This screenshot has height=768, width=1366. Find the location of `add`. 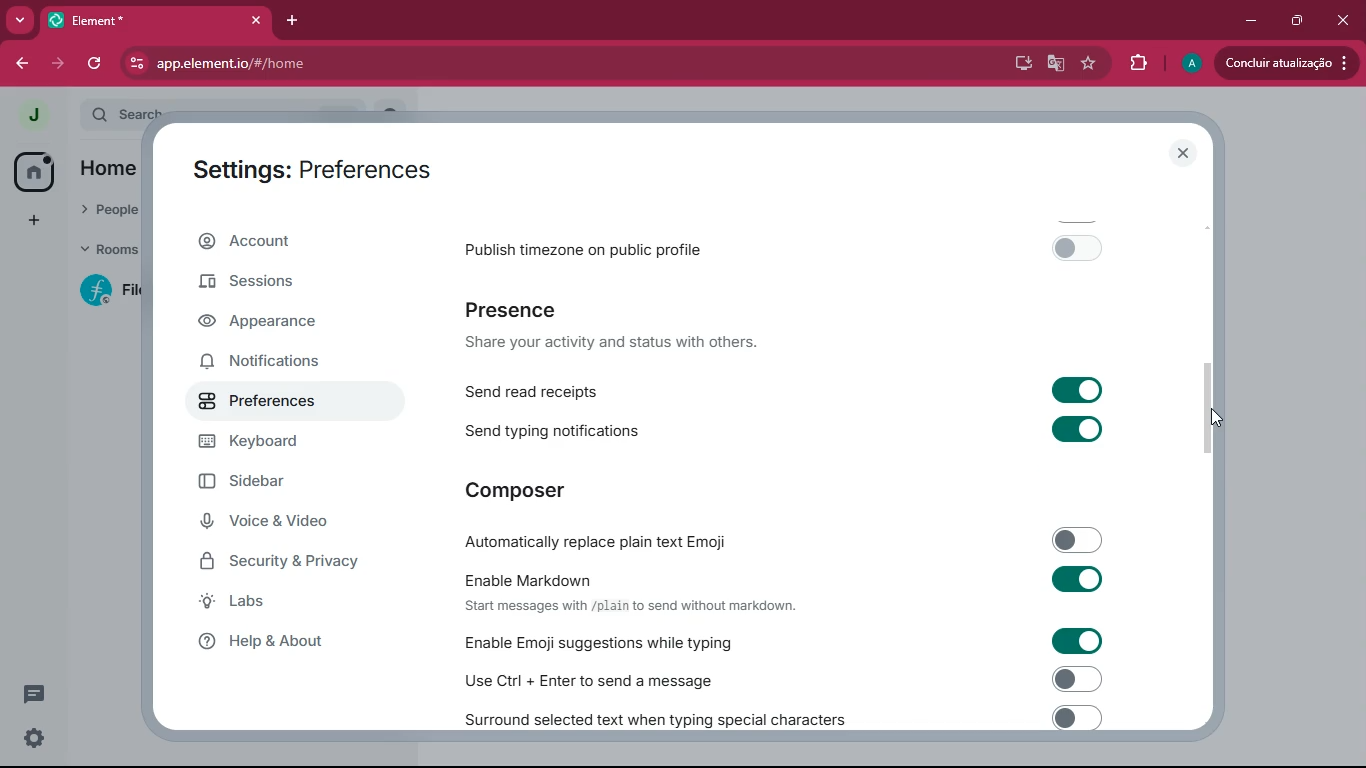

add is located at coordinates (30, 223).